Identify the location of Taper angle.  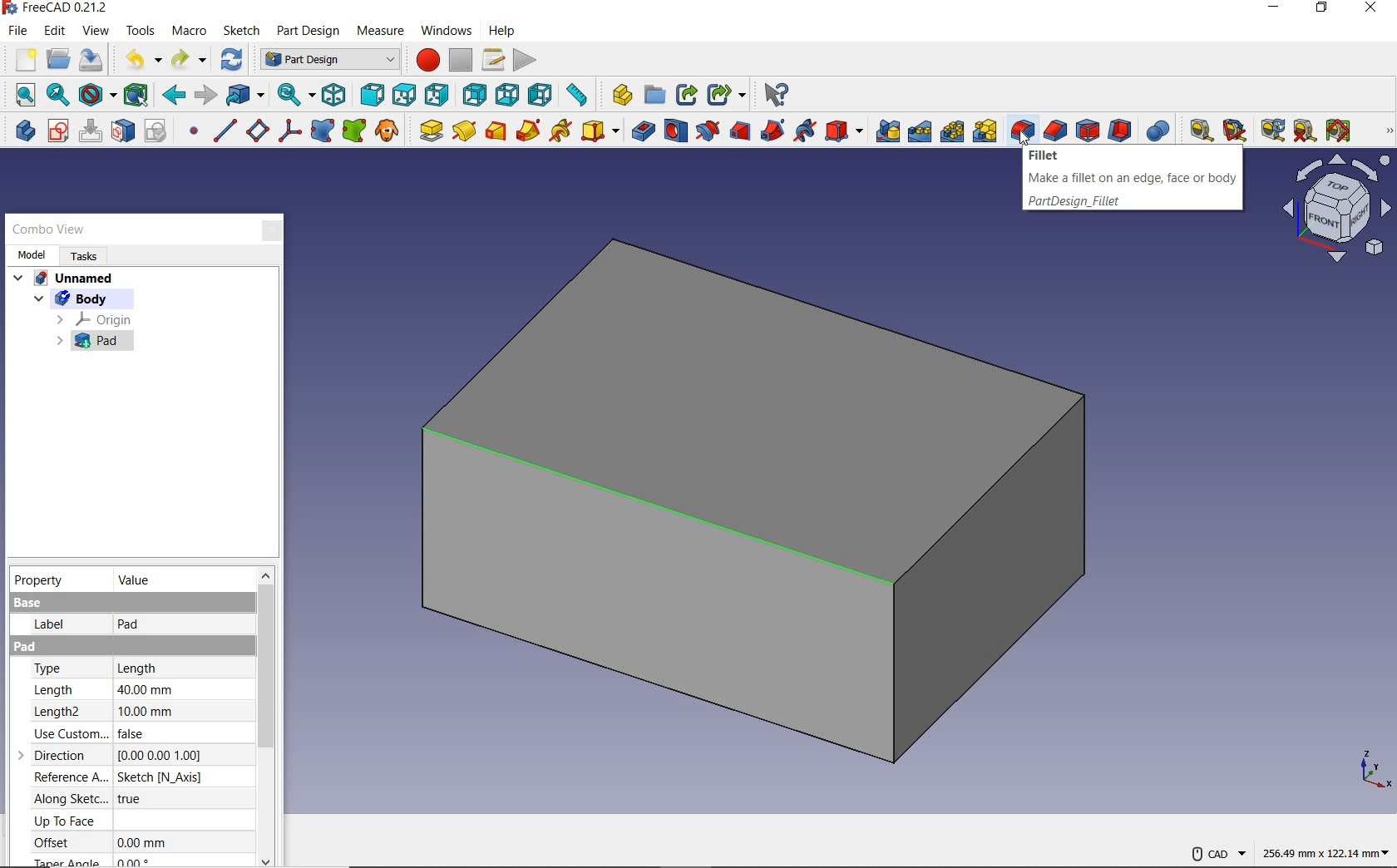
(71, 861).